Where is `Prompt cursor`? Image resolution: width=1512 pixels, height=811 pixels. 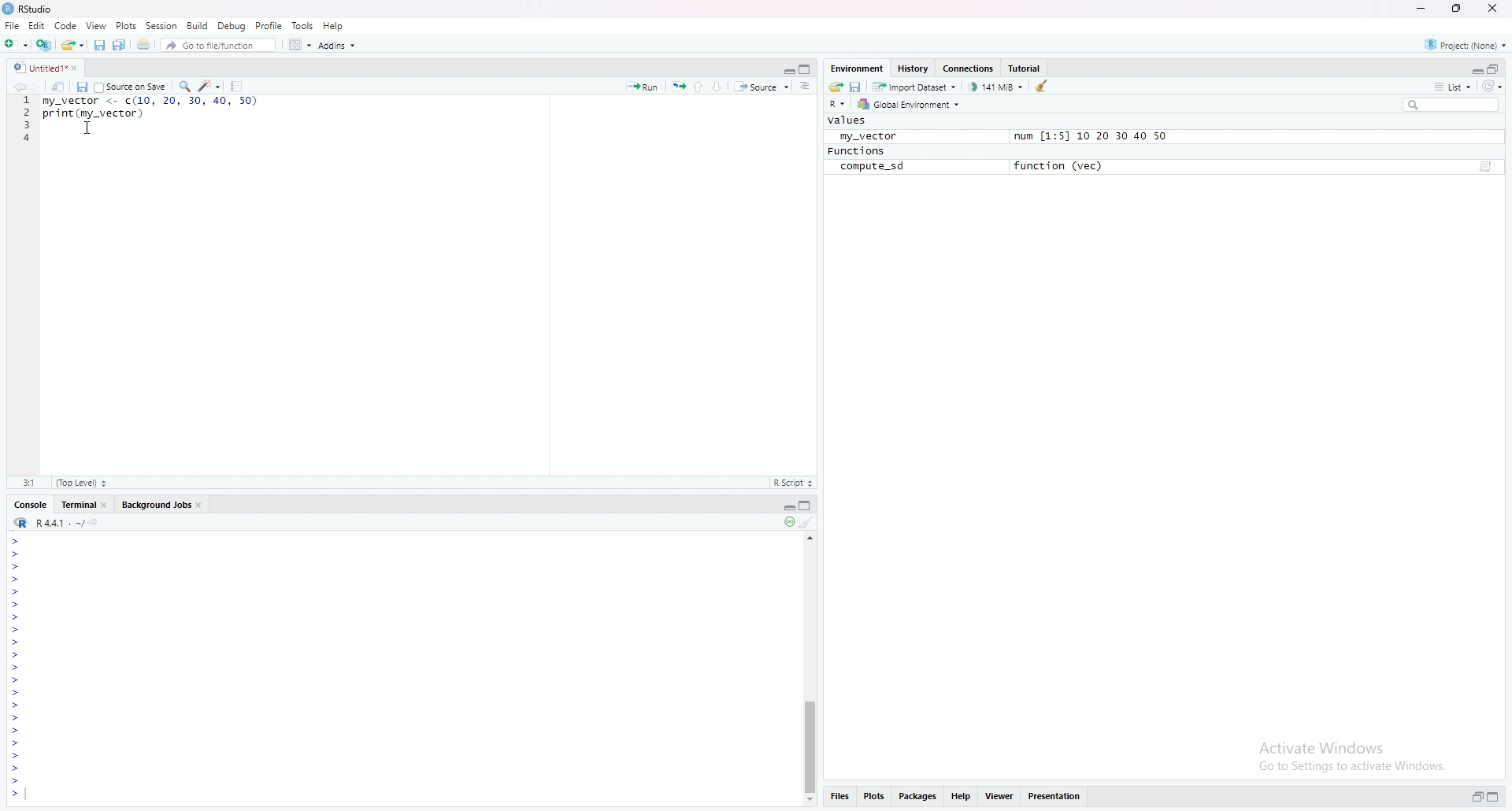 Prompt cursor is located at coordinates (17, 554).